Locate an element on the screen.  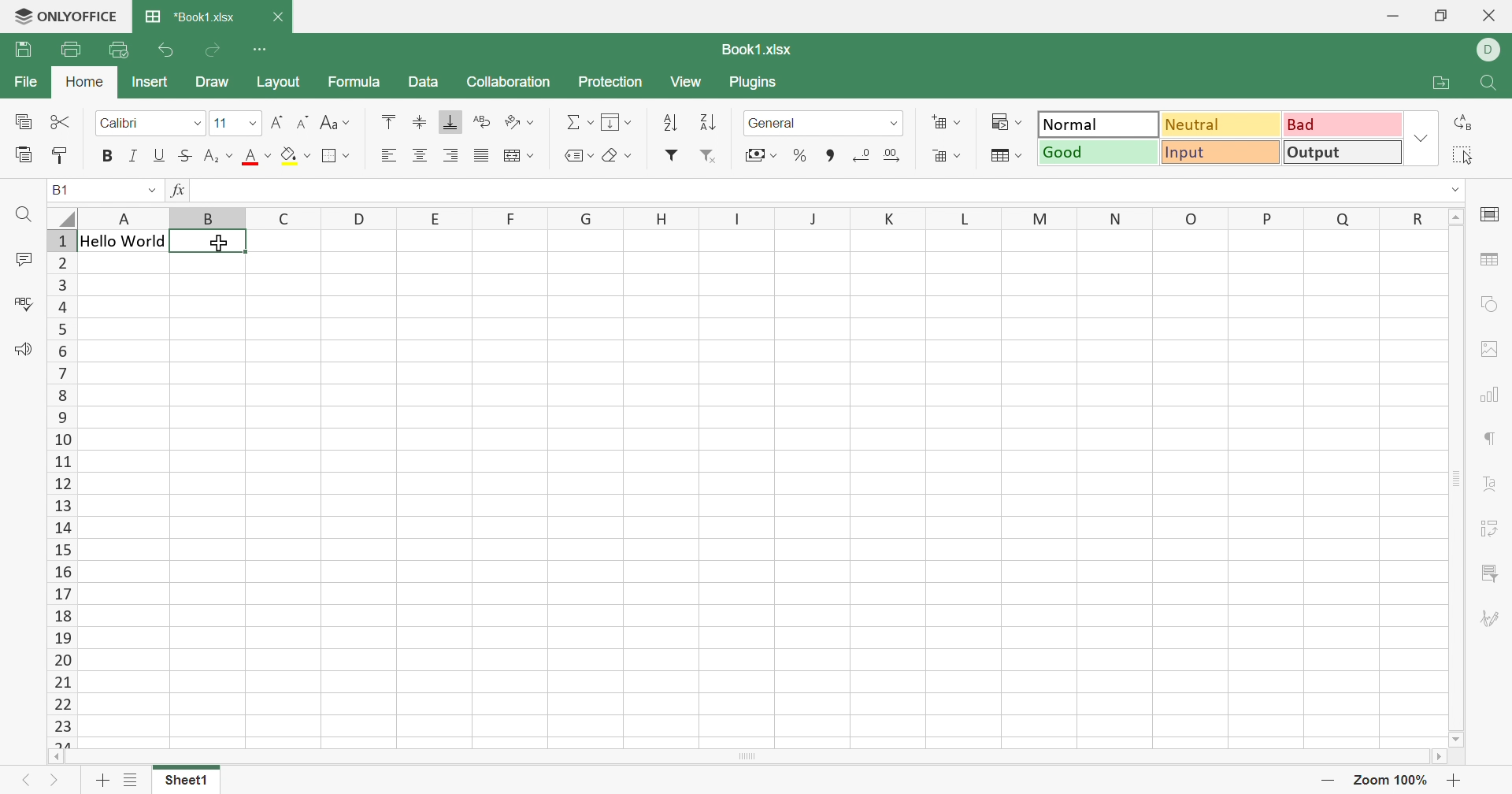
Shape settings is located at coordinates (1486, 307).